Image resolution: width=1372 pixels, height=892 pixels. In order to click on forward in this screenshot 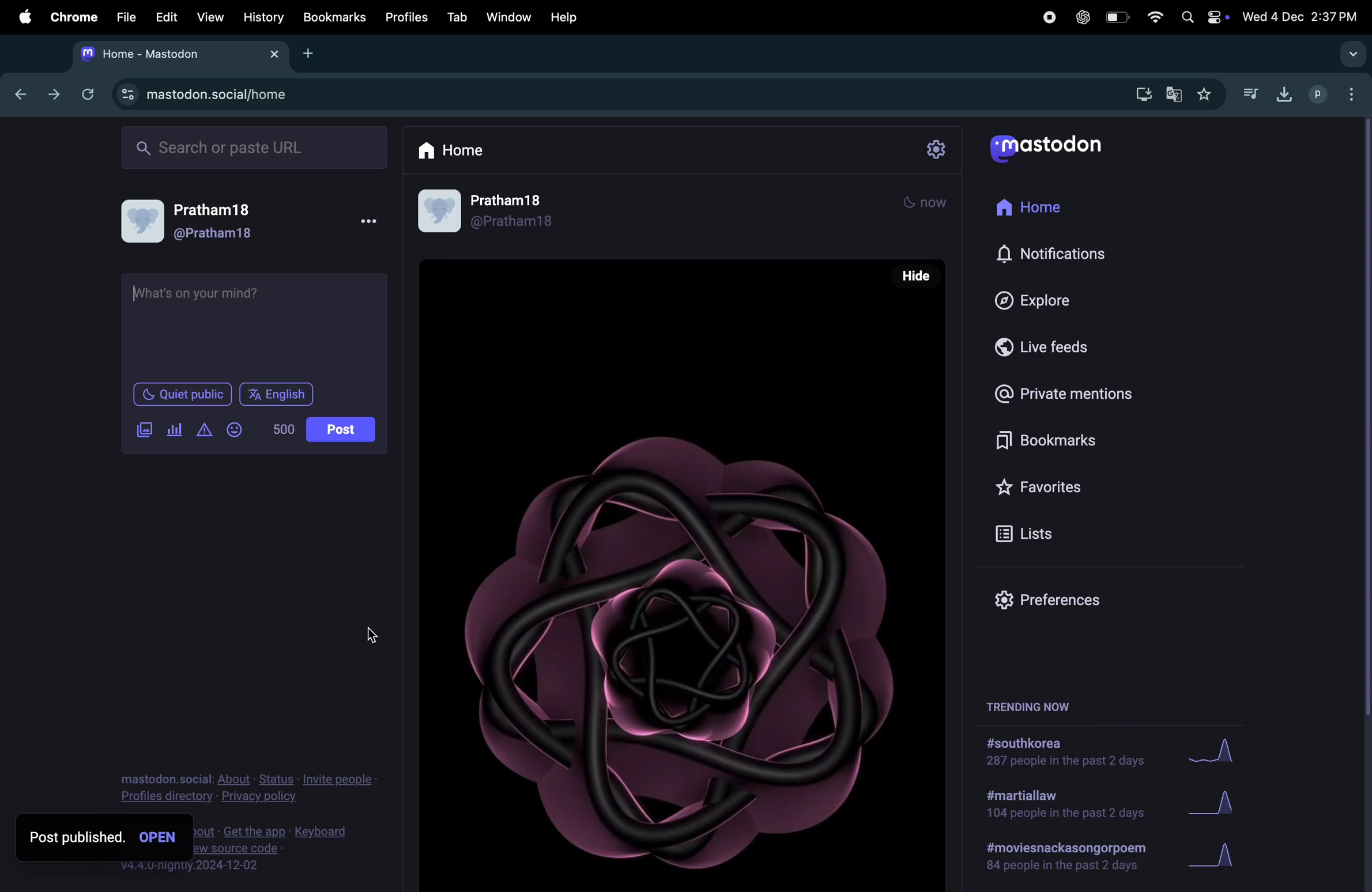, I will do `click(54, 93)`.